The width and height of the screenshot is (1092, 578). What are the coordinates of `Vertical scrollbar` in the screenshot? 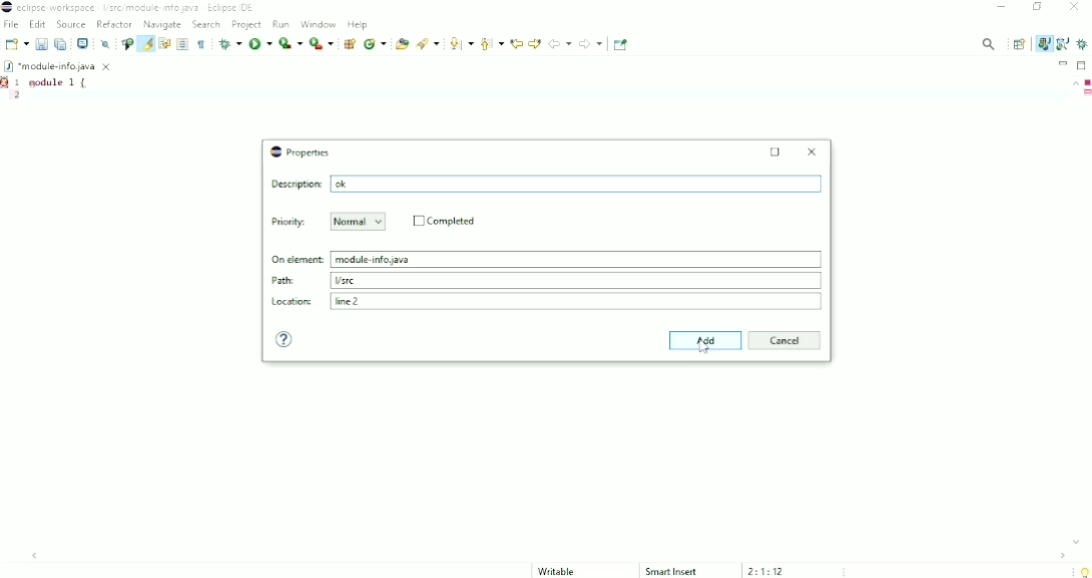 It's located at (1070, 313).